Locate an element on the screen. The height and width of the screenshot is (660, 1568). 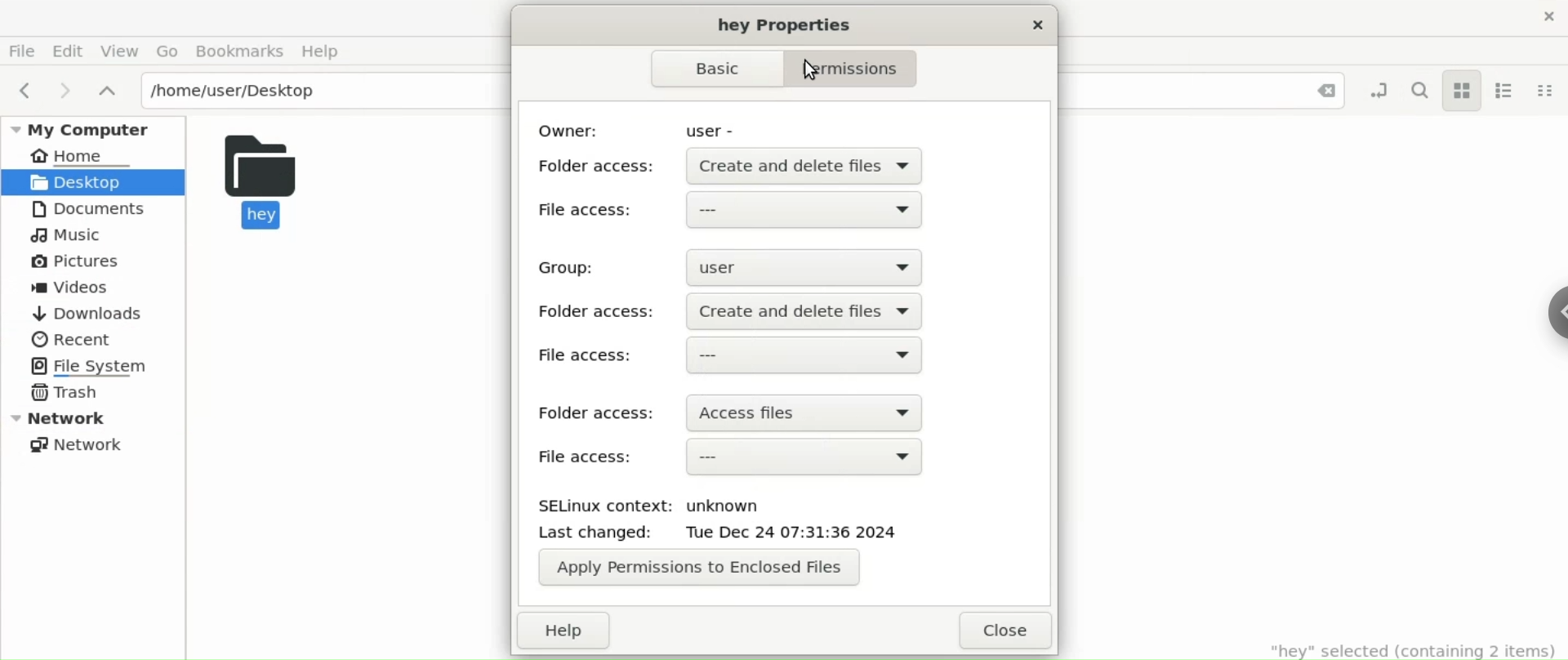
Network is located at coordinates (96, 419).